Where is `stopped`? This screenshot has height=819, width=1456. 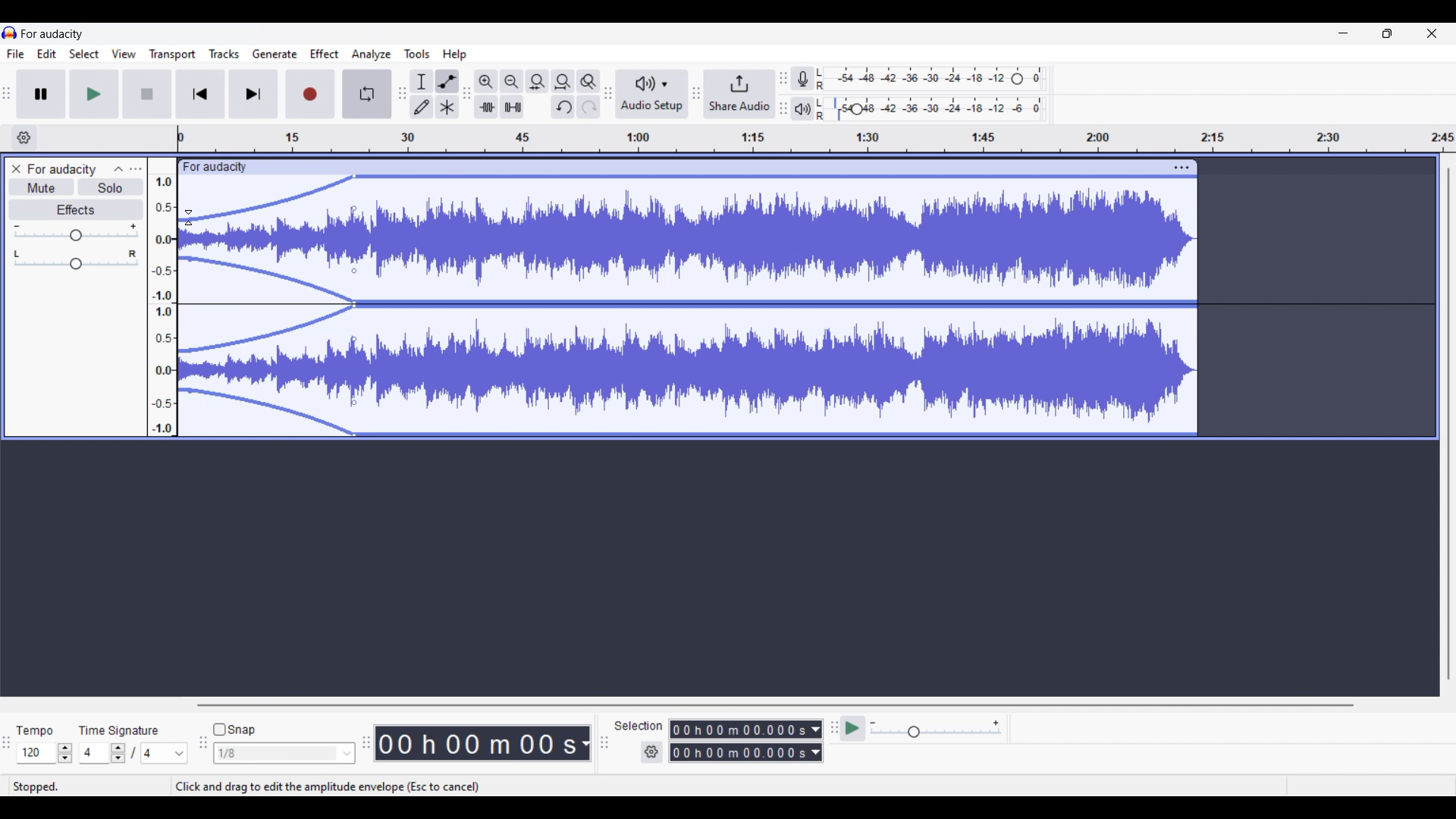
stopped is located at coordinates (36, 787).